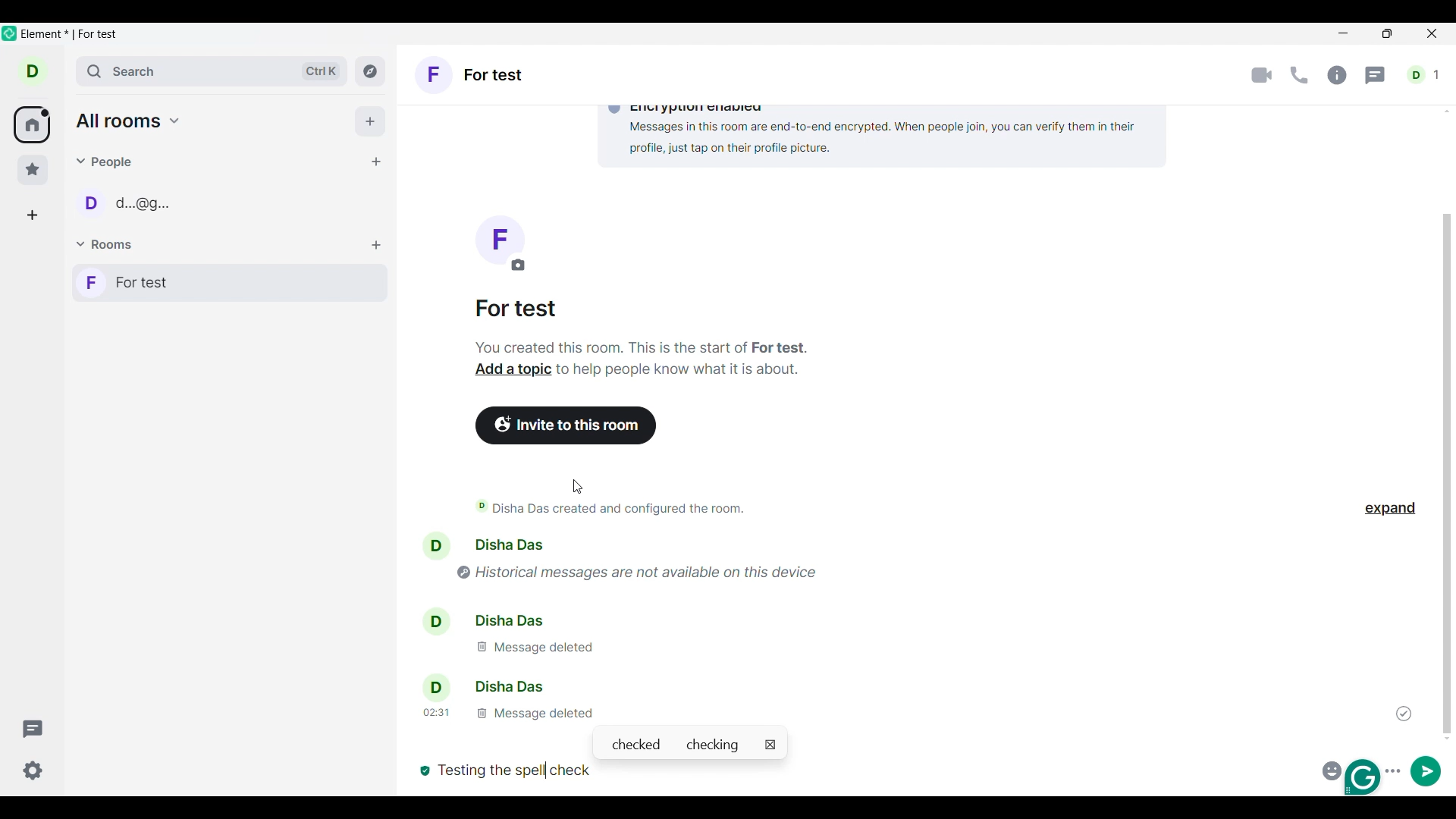 This screenshot has height=819, width=1456. What do you see at coordinates (129, 121) in the screenshot?
I see ` all rooms` at bounding box center [129, 121].